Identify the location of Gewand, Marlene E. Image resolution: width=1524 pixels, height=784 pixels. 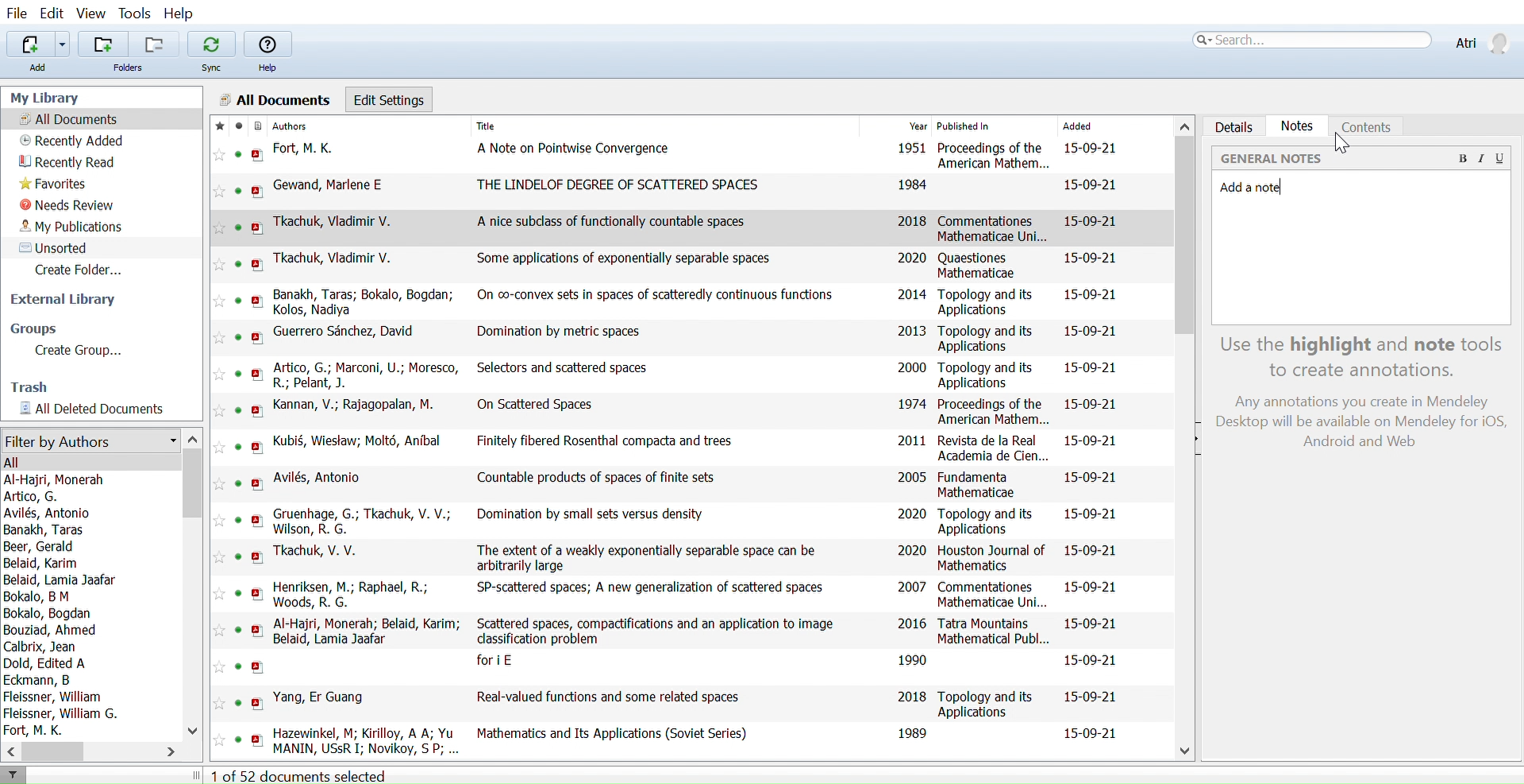
(329, 186).